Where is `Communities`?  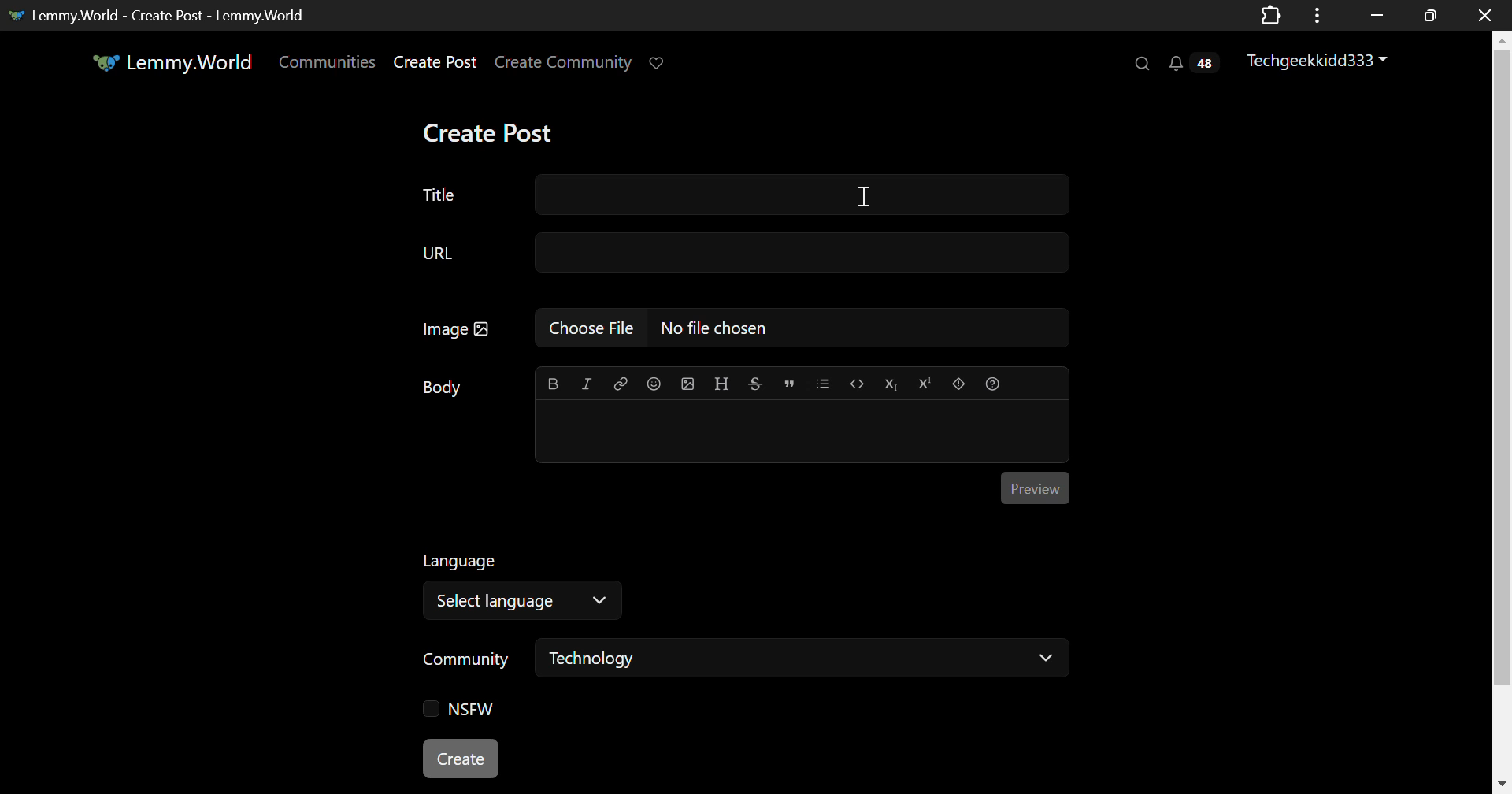 Communities is located at coordinates (329, 63).